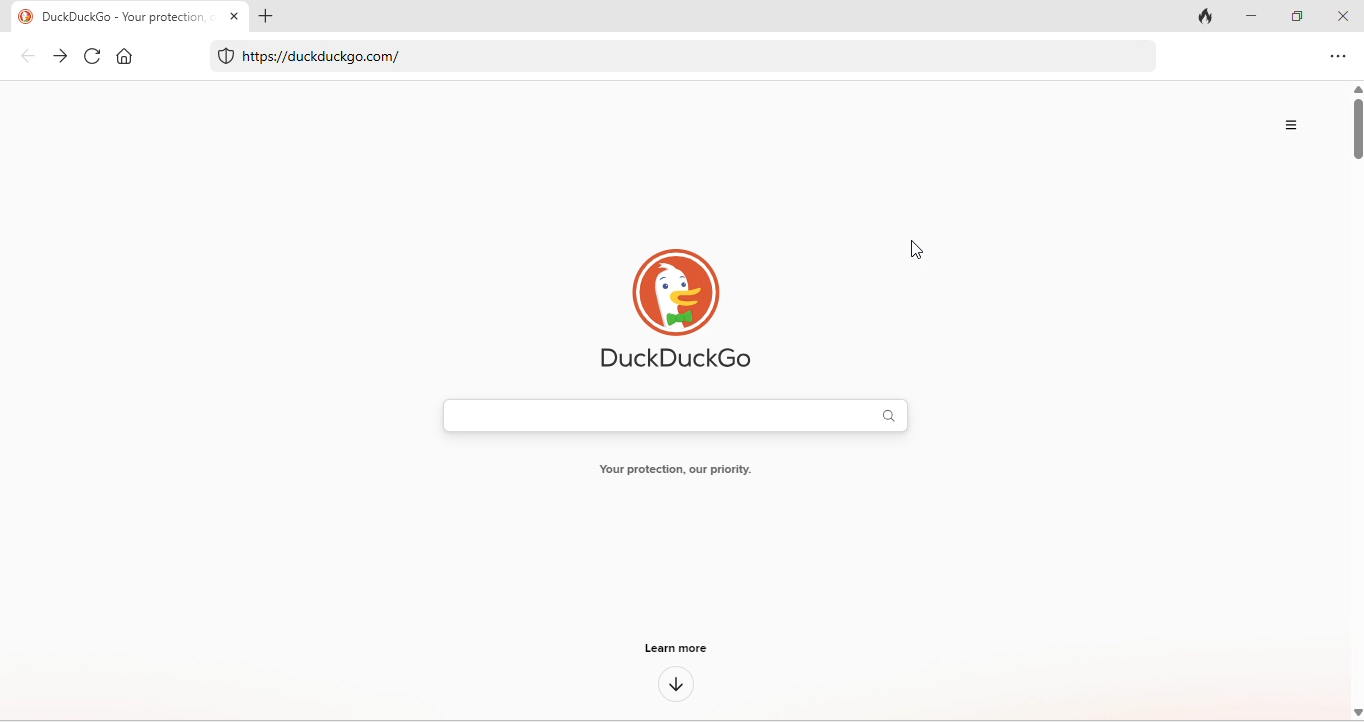 The height and width of the screenshot is (722, 1364). Describe the element at coordinates (1296, 17) in the screenshot. I see `maximize` at that location.